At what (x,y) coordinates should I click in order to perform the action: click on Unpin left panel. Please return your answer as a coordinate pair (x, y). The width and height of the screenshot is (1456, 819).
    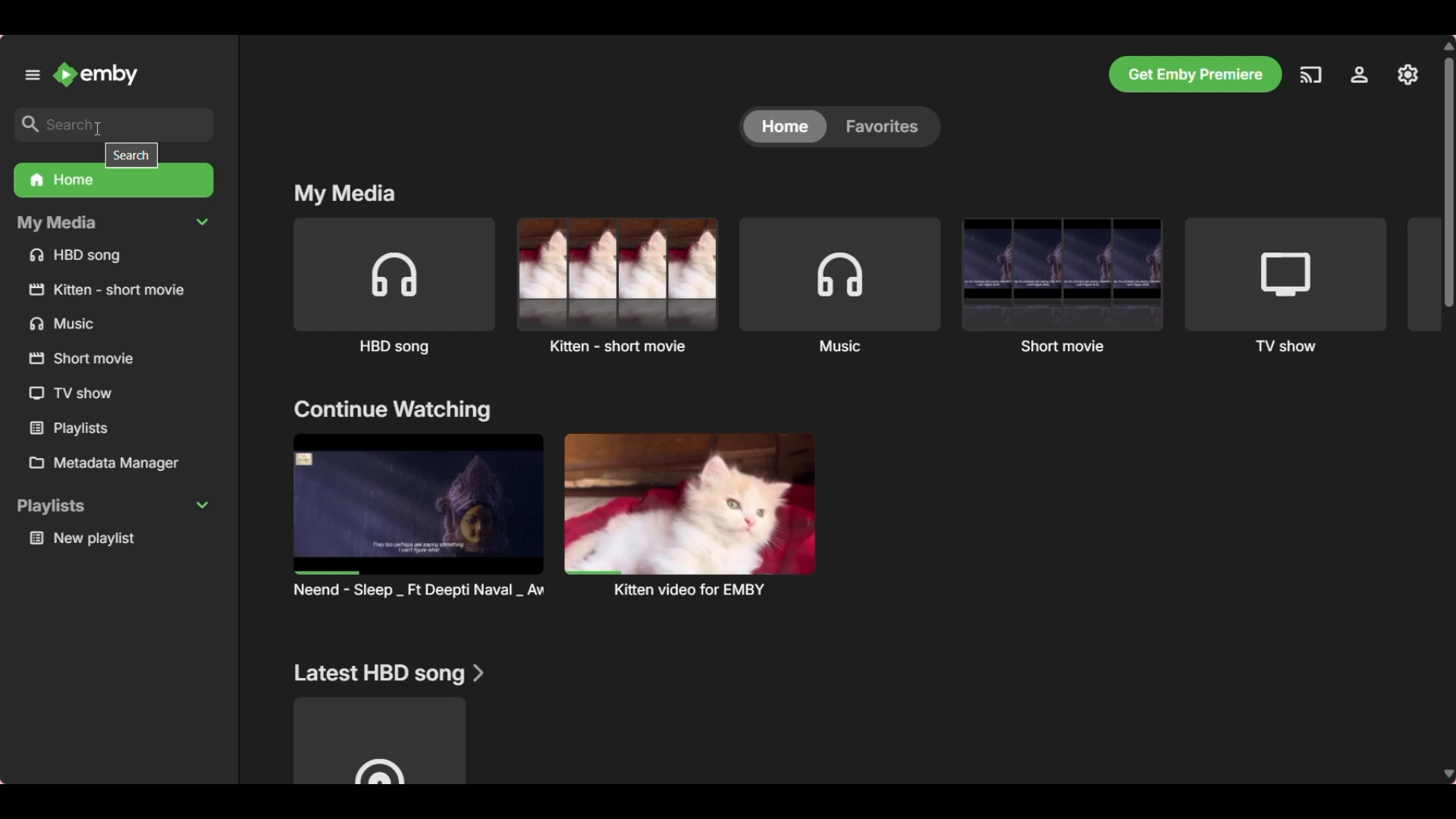
    Looking at the image, I should click on (33, 74).